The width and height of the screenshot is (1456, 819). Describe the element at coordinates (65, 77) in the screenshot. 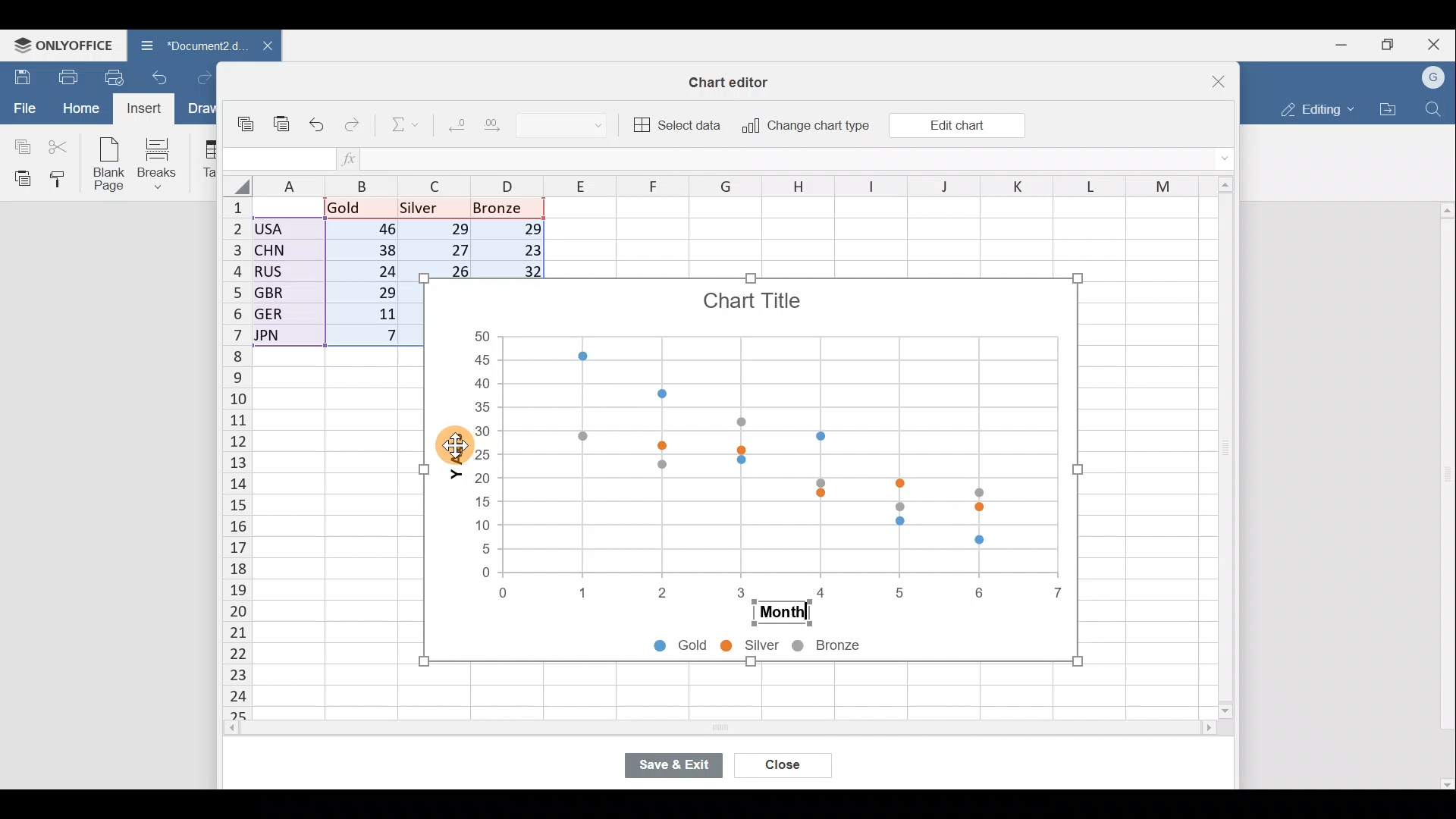

I see `Print file` at that location.